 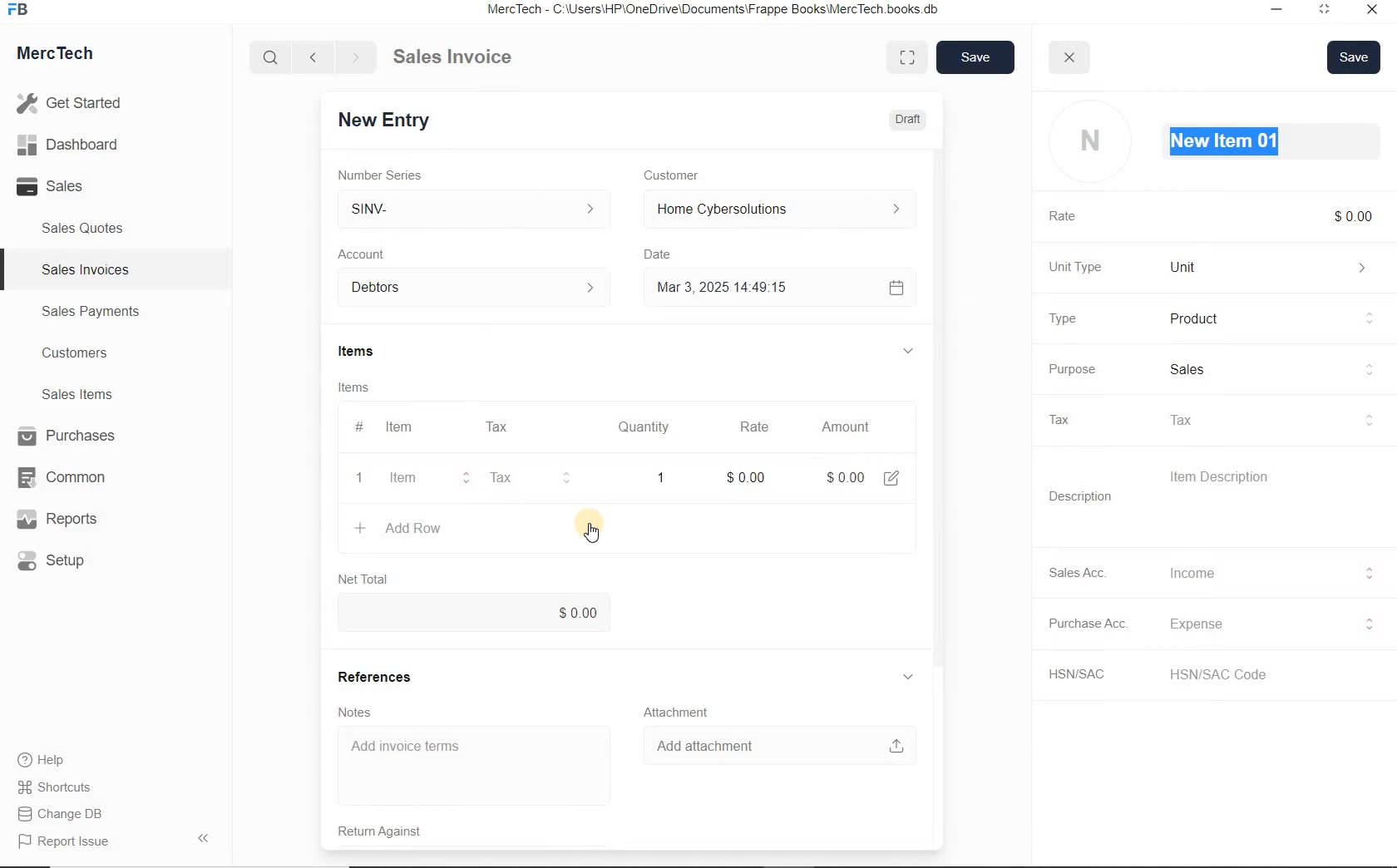 What do you see at coordinates (474, 209) in the screenshot?
I see `SINV-` at bounding box center [474, 209].